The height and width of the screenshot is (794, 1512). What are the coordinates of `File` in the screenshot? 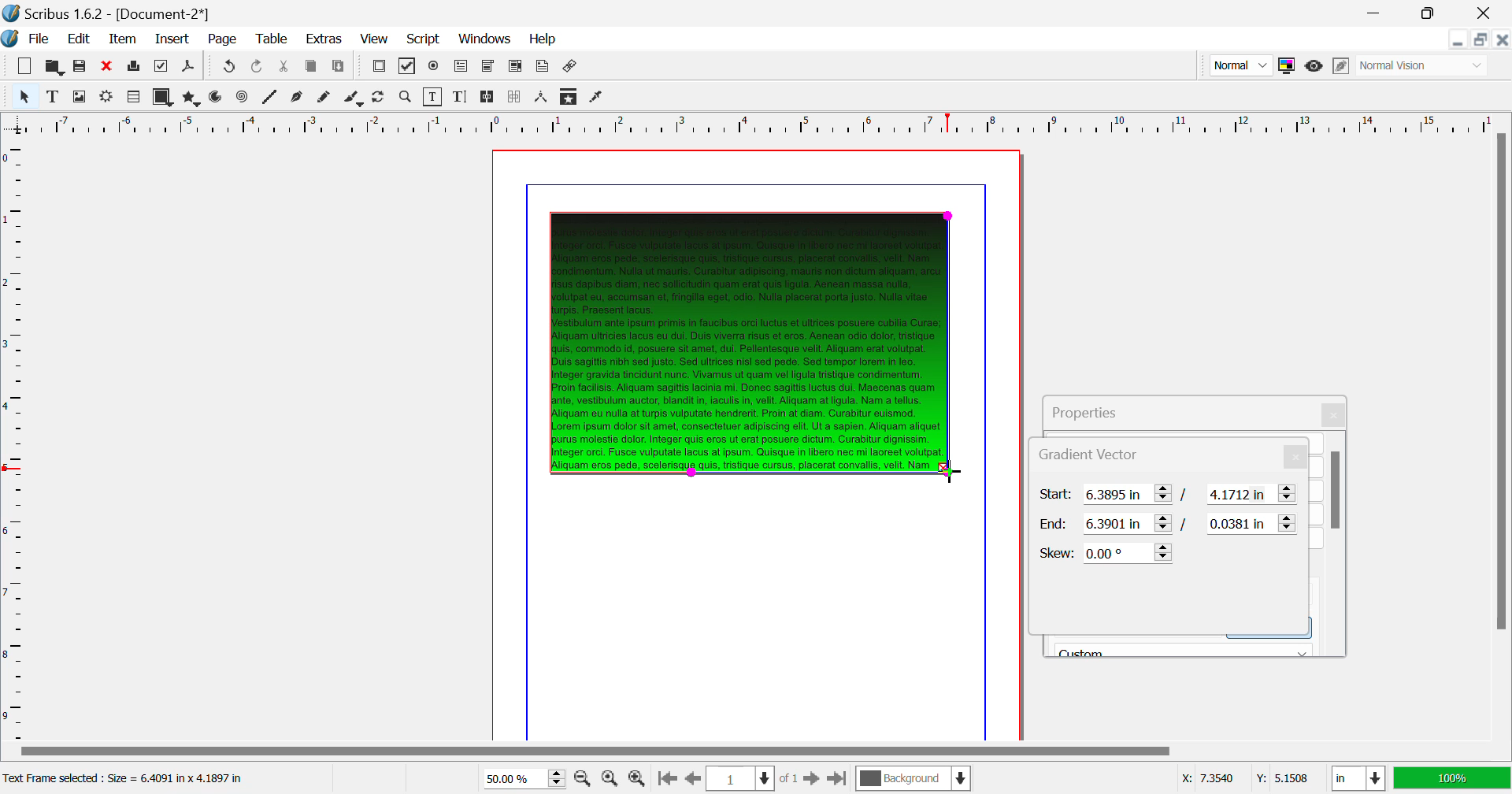 It's located at (28, 39).